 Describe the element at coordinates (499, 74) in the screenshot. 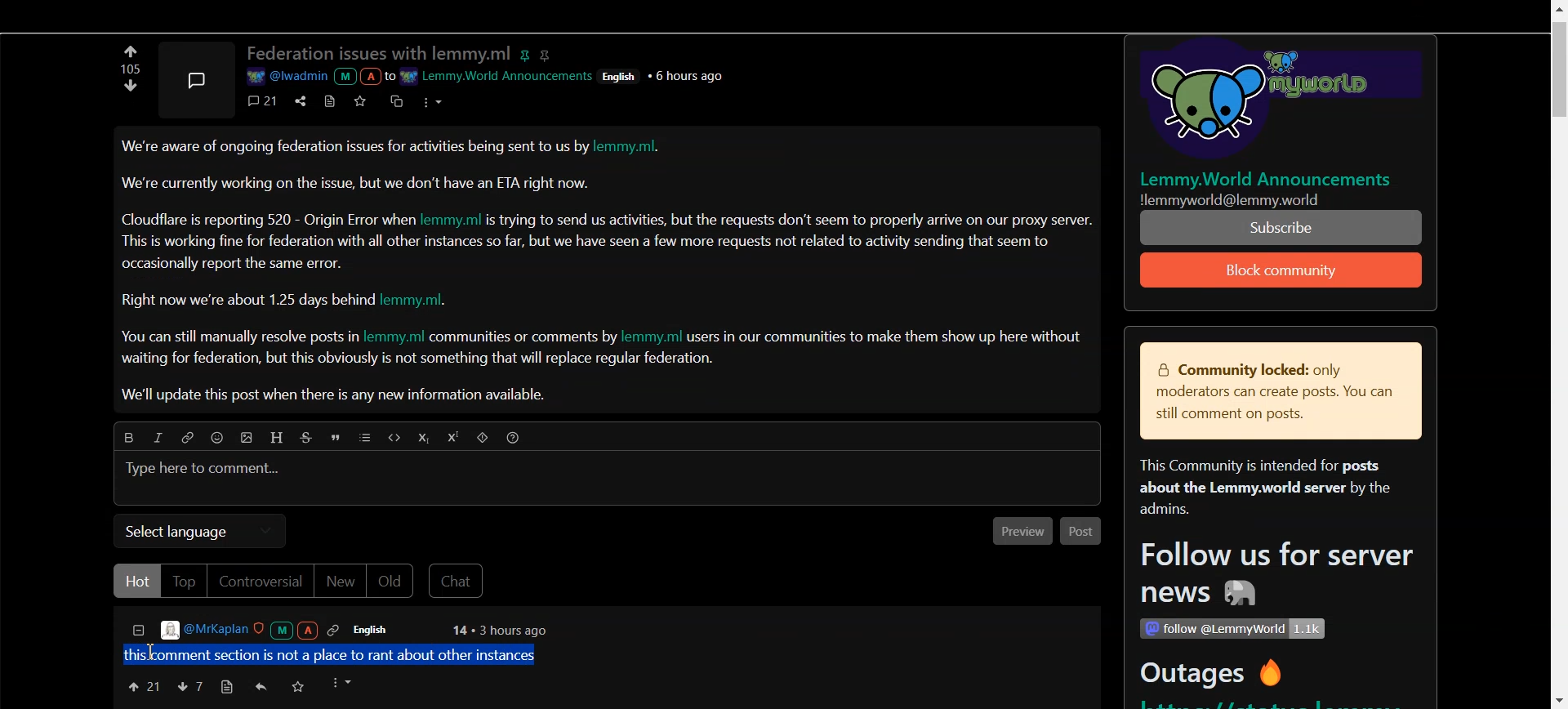

I see `wr Lemmy.World Announcement:` at that location.